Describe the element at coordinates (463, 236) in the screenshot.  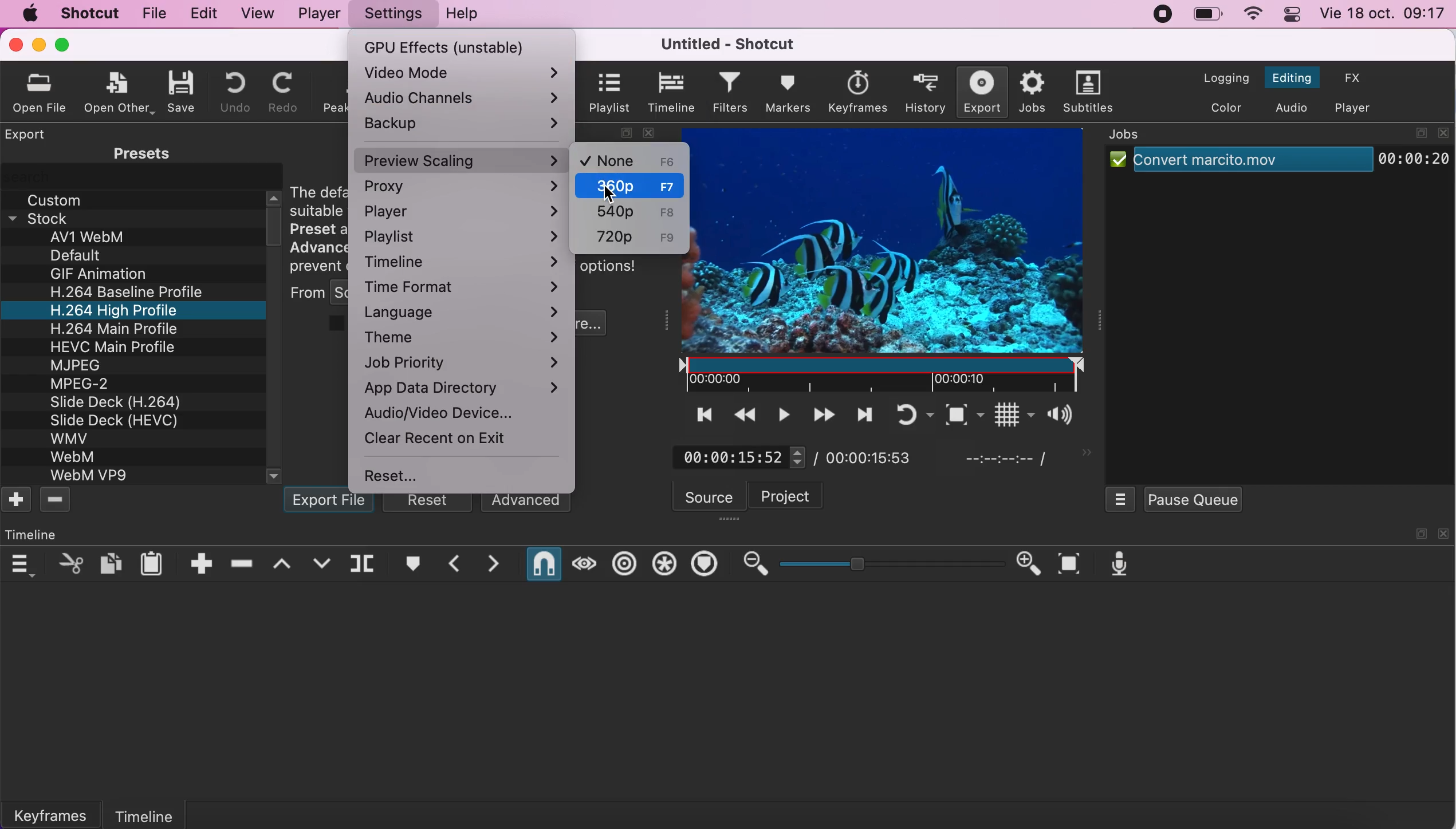
I see `playlist` at that location.